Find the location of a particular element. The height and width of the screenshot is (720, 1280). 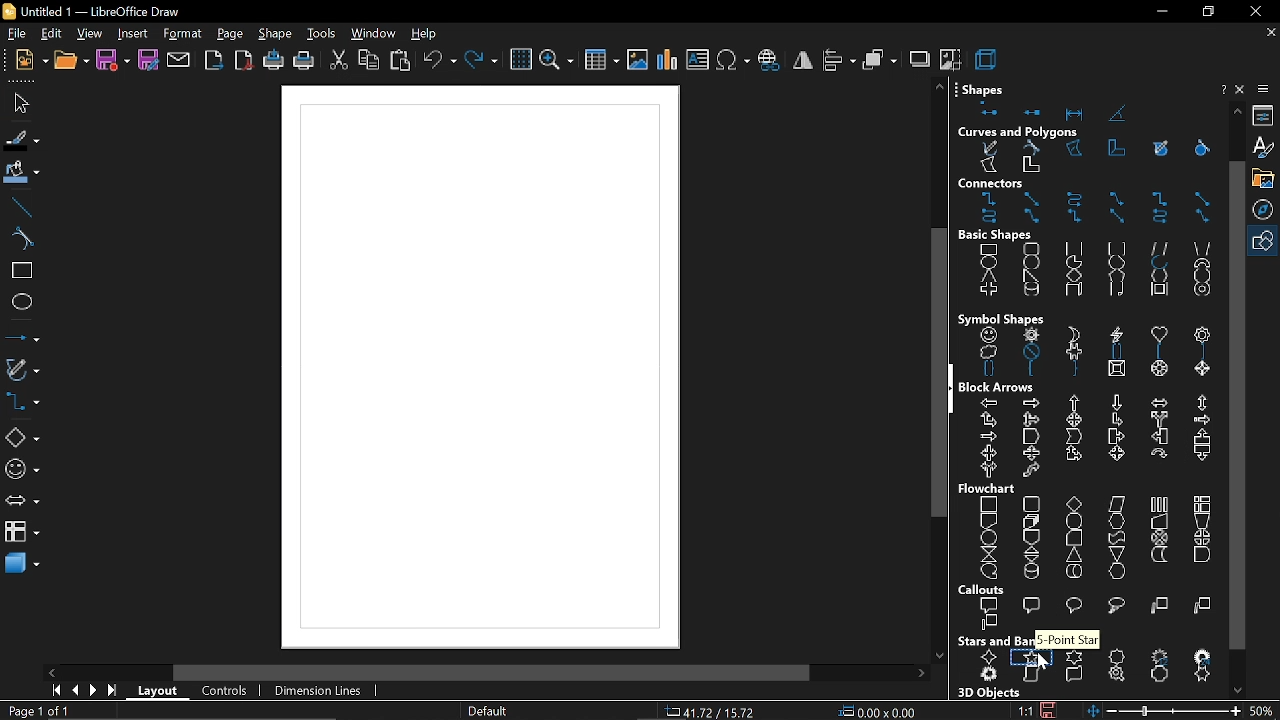

sidebar options is located at coordinates (1266, 89).